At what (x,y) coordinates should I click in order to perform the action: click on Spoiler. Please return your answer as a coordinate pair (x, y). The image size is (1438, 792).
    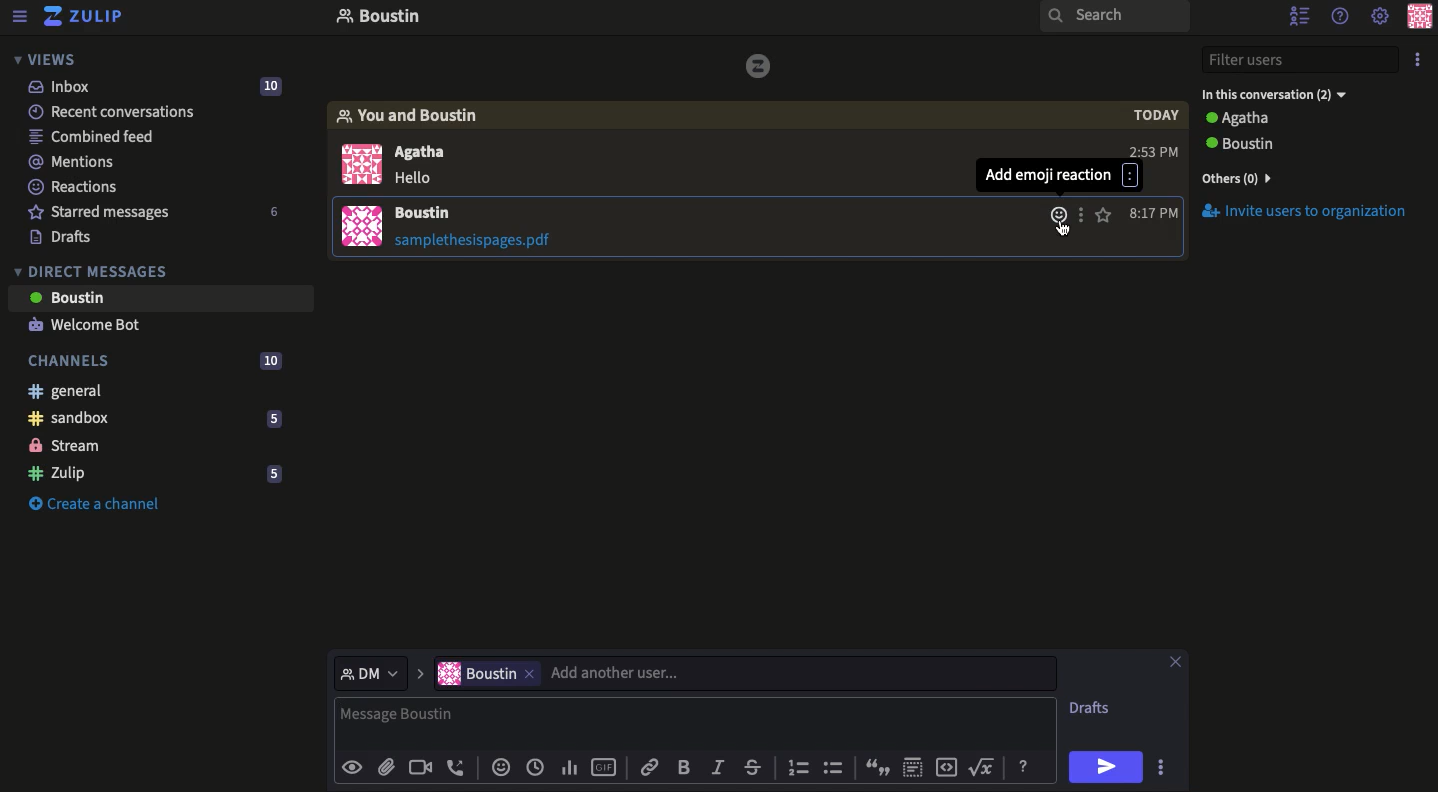
    Looking at the image, I should click on (911, 766).